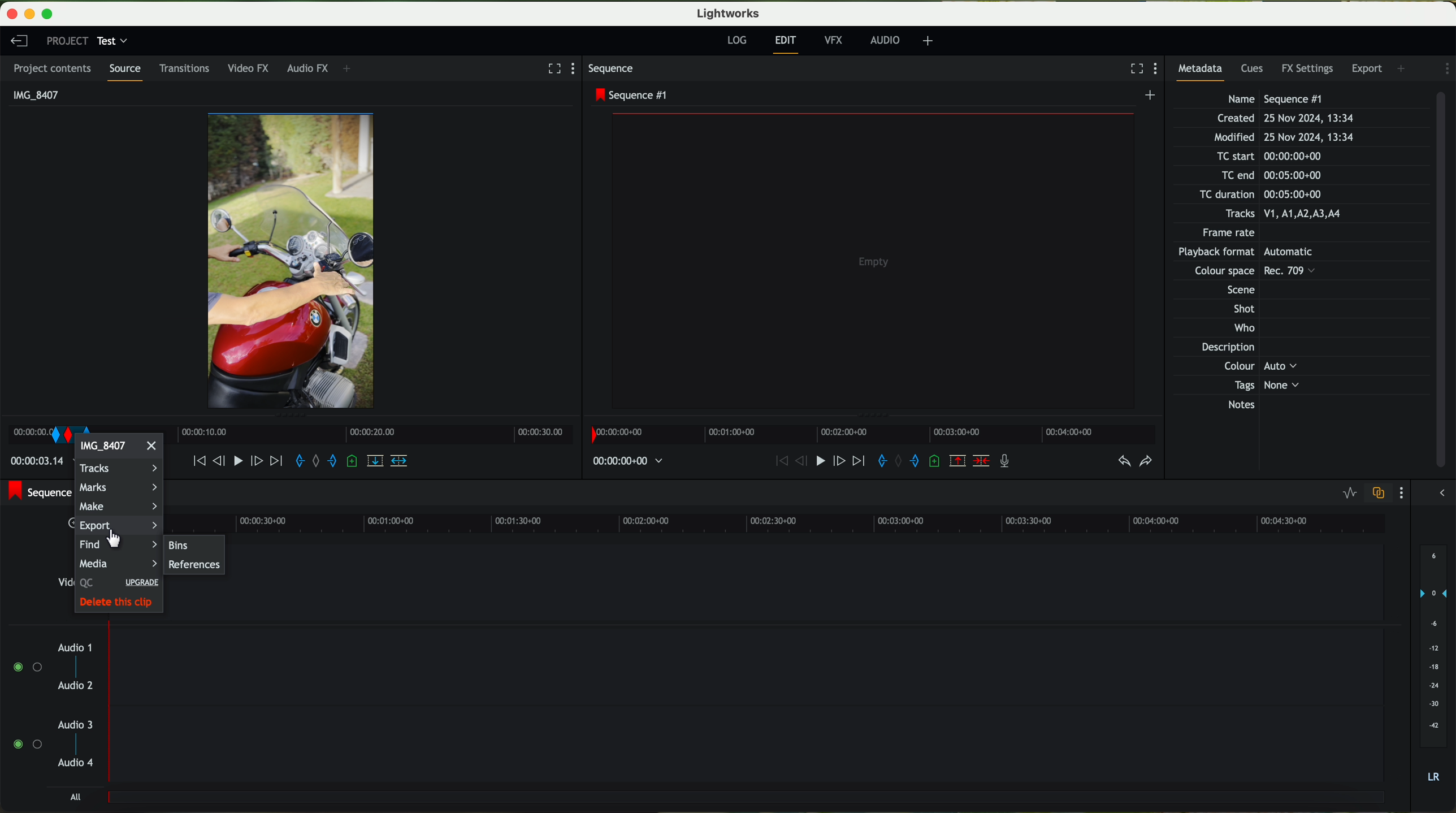 This screenshot has width=1456, height=813. Describe the element at coordinates (1281, 214) in the screenshot. I see `Tracks` at that location.